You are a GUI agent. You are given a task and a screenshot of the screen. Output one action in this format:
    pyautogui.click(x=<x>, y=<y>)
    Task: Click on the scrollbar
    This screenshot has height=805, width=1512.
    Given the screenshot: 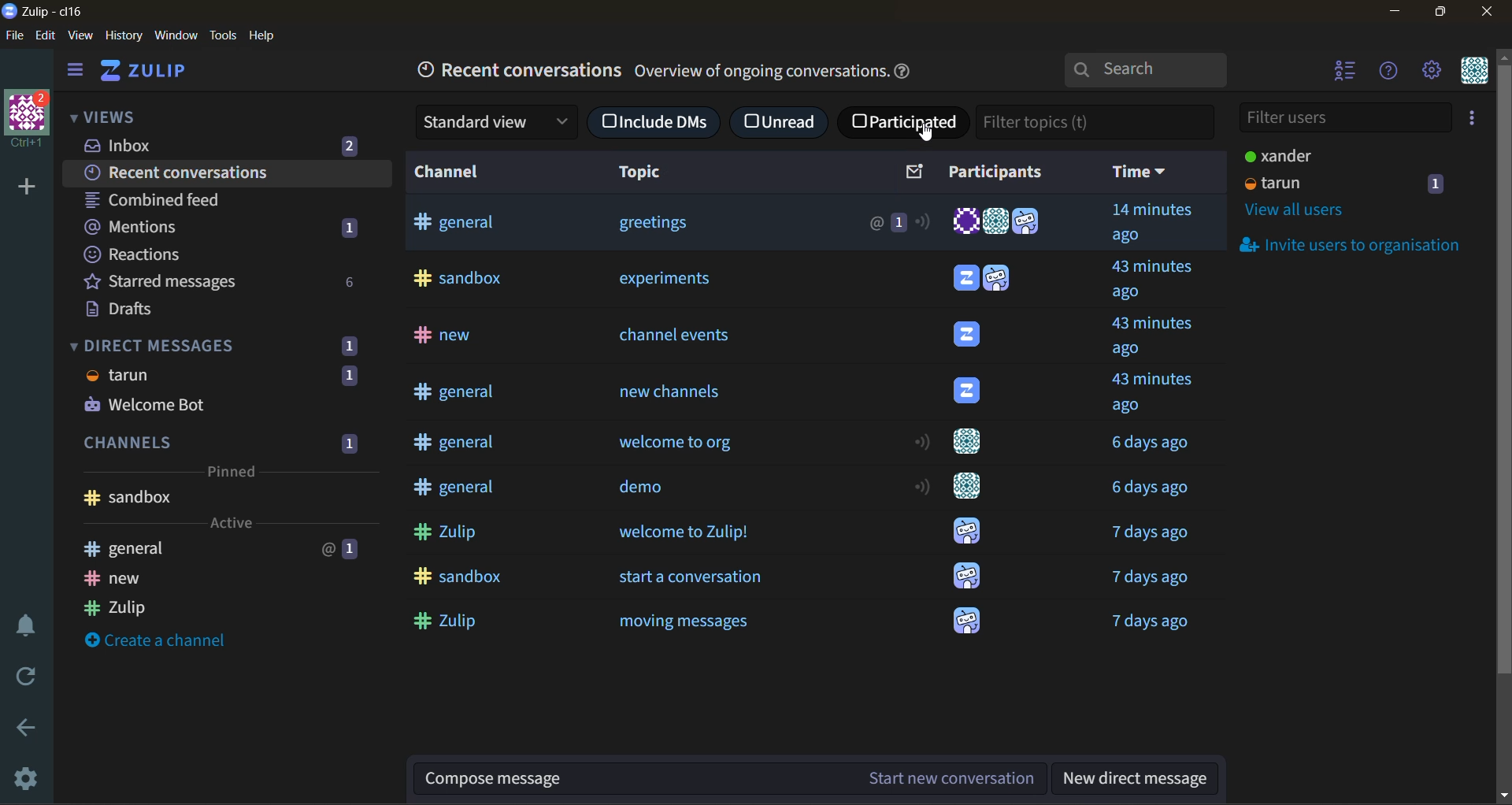 What is the action you would take?
    pyautogui.click(x=1504, y=370)
    